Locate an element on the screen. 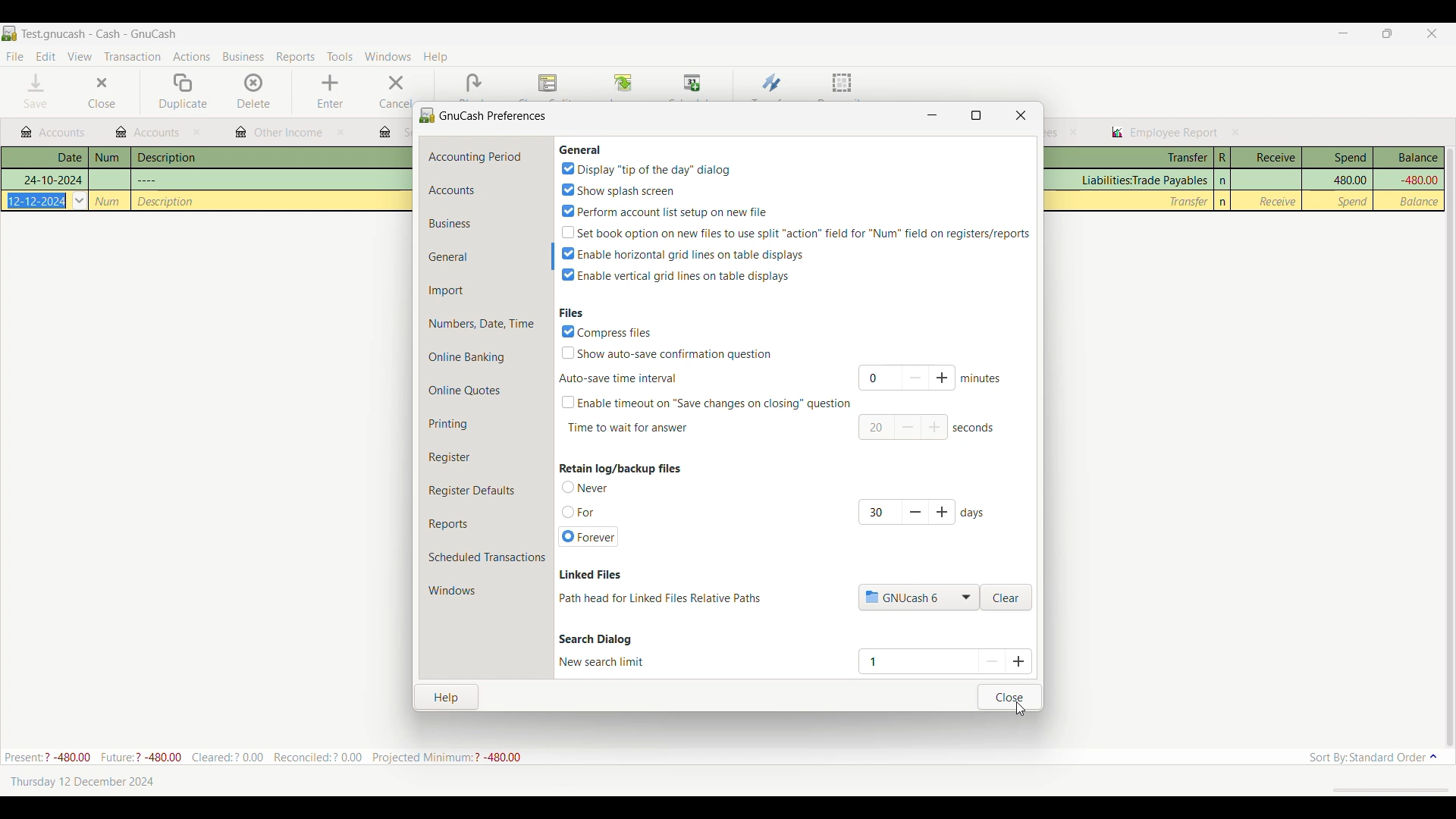  Balance column is located at coordinates (1421, 202).